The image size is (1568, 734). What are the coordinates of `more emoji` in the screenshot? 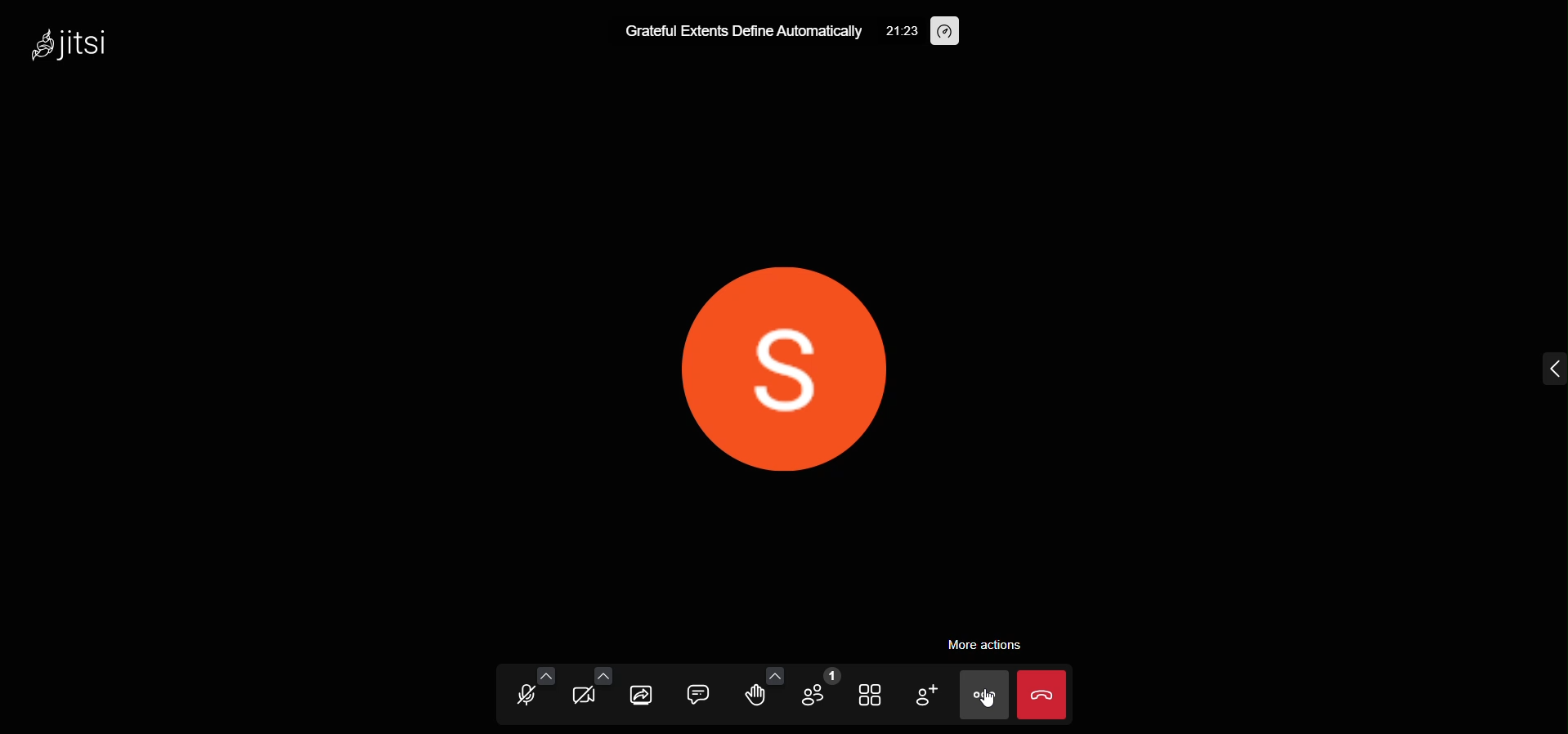 It's located at (774, 674).